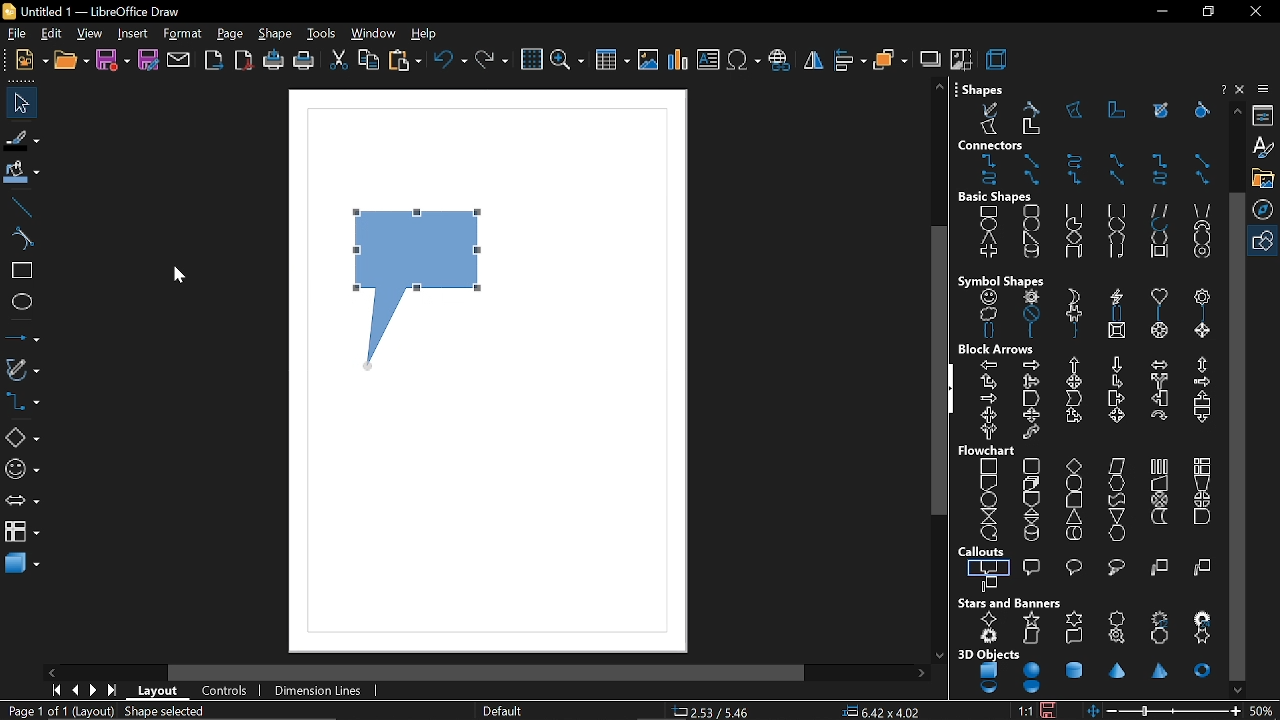 This screenshot has width=1280, height=720. I want to click on save, so click(1050, 710).